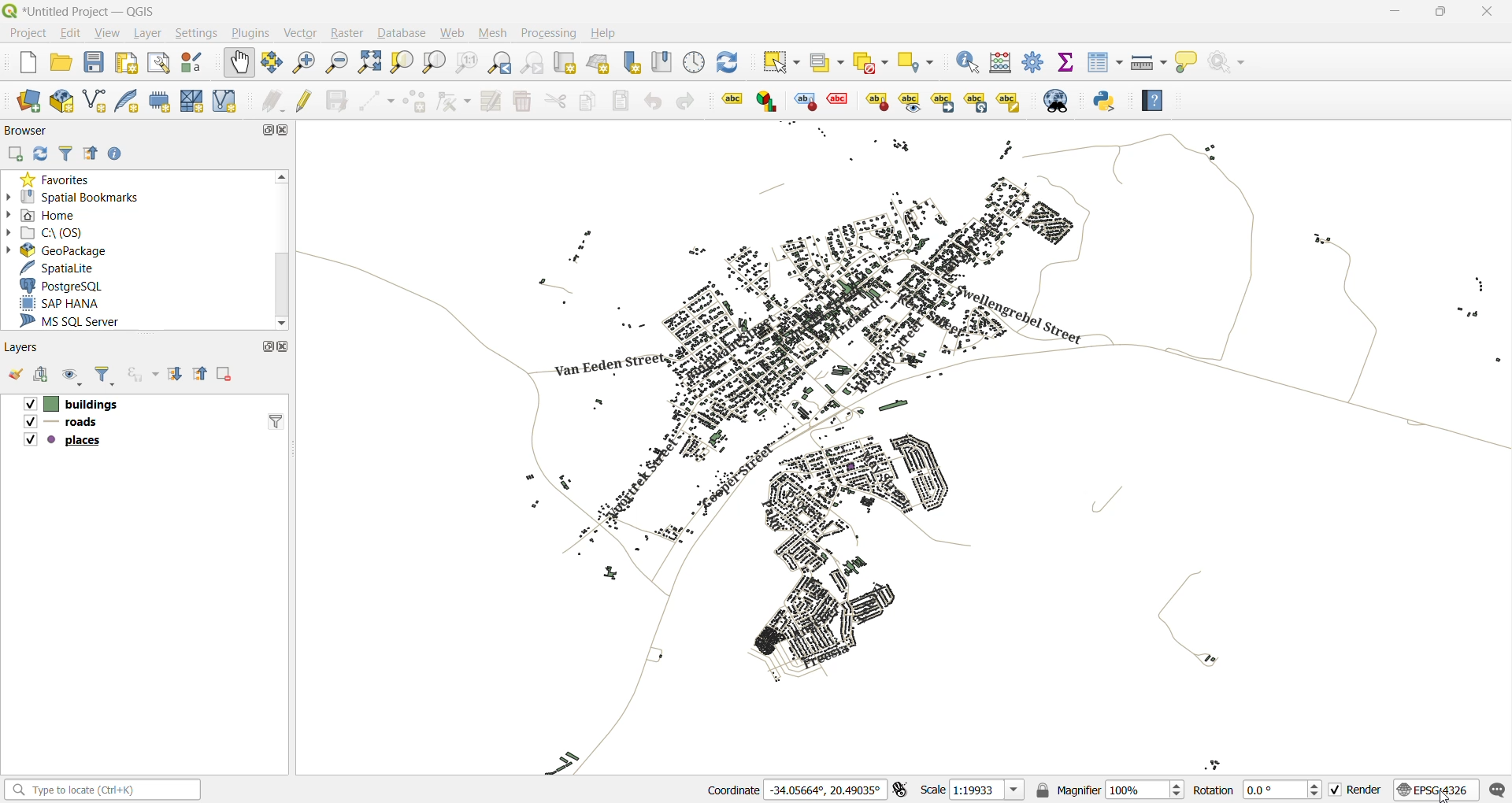  Describe the element at coordinates (91, 156) in the screenshot. I see `collapse all` at that location.